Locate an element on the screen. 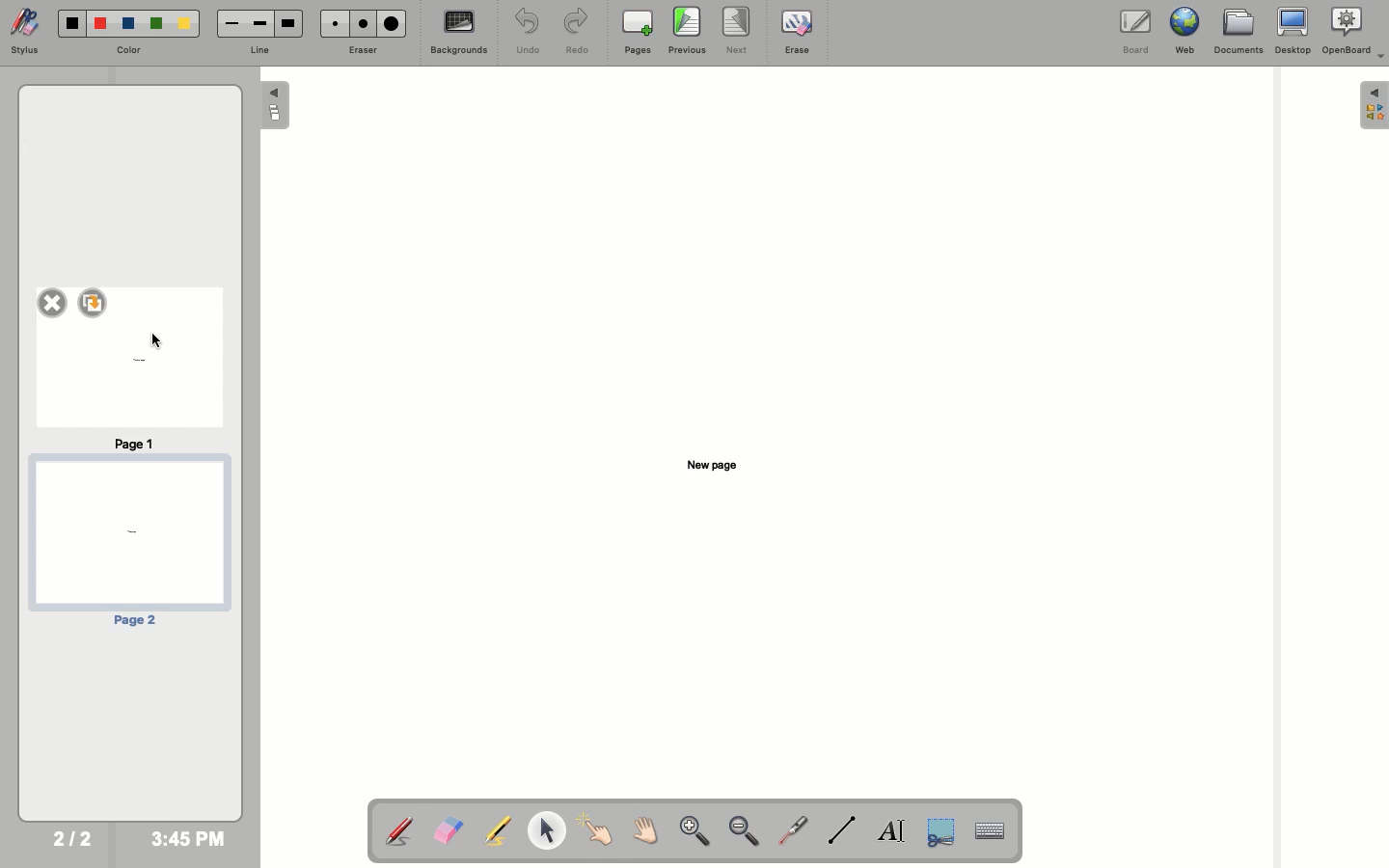 Image resolution: width=1389 pixels, height=868 pixels. Medium line is located at coordinates (259, 23).